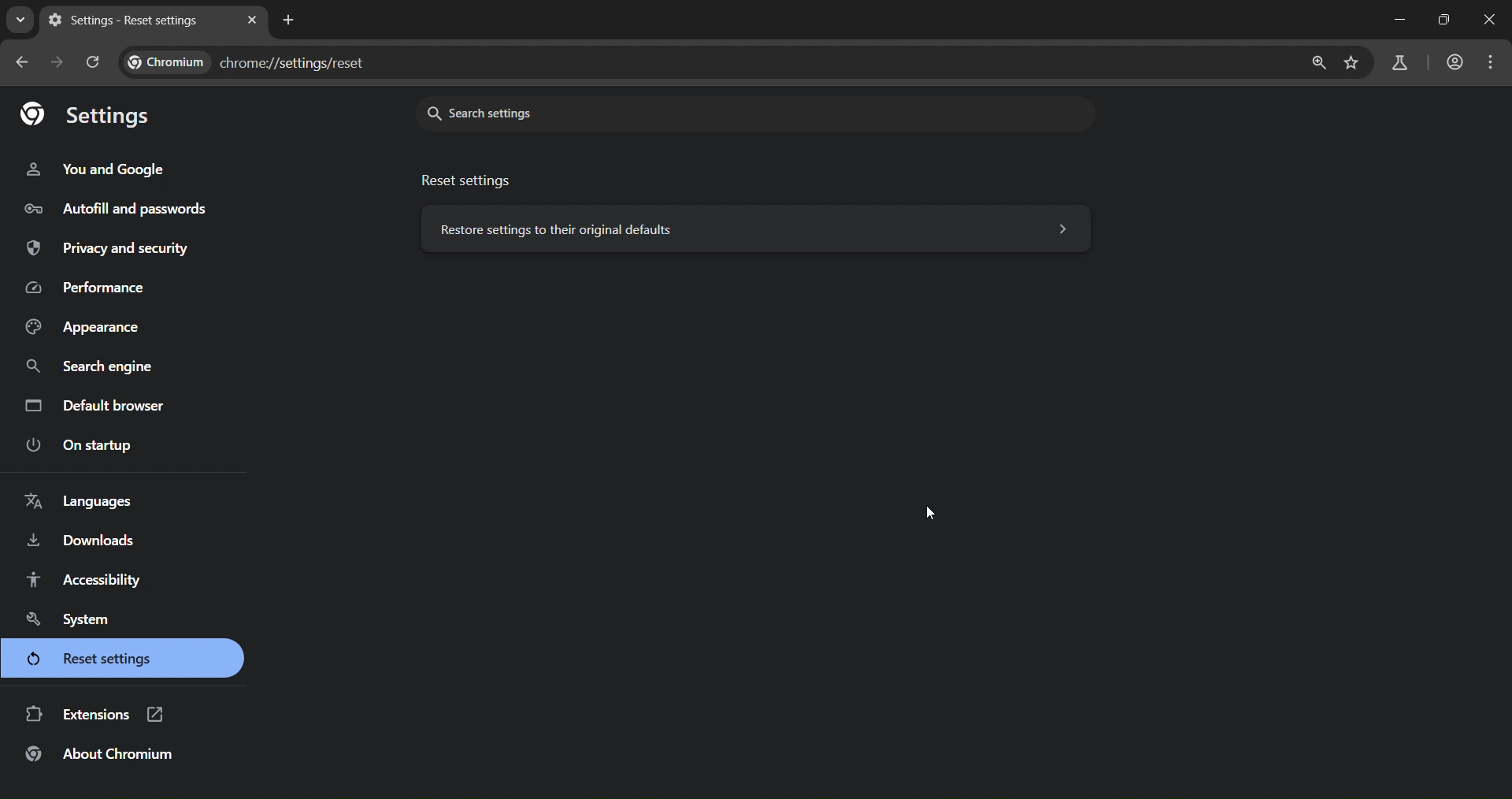 Image resolution: width=1512 pixels, height=799 pixels. Describe the element at coordinates (133, 206) in the screenshot. I see `autofill and passwords` at that location.